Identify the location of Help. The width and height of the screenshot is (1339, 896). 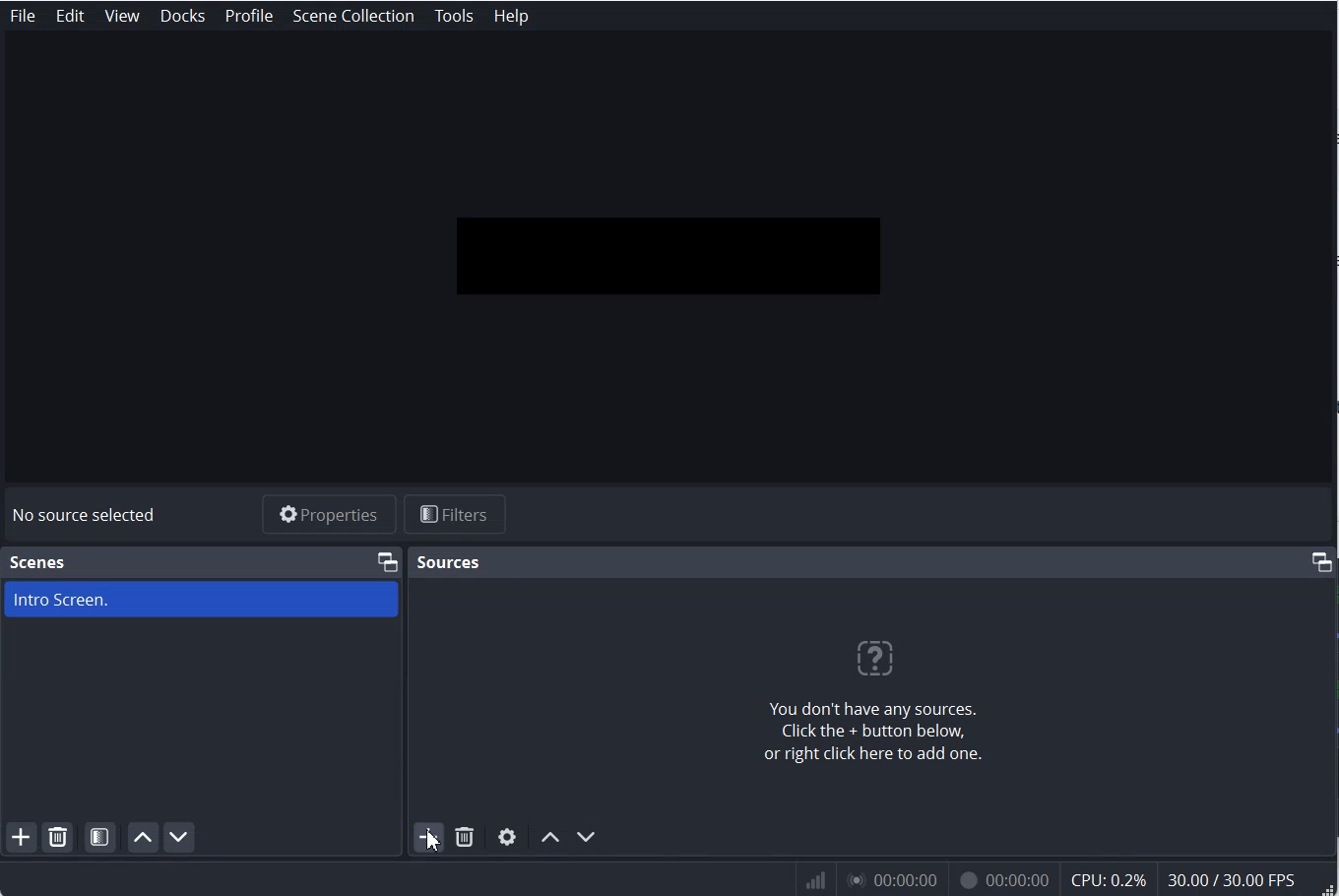
(510, 15).